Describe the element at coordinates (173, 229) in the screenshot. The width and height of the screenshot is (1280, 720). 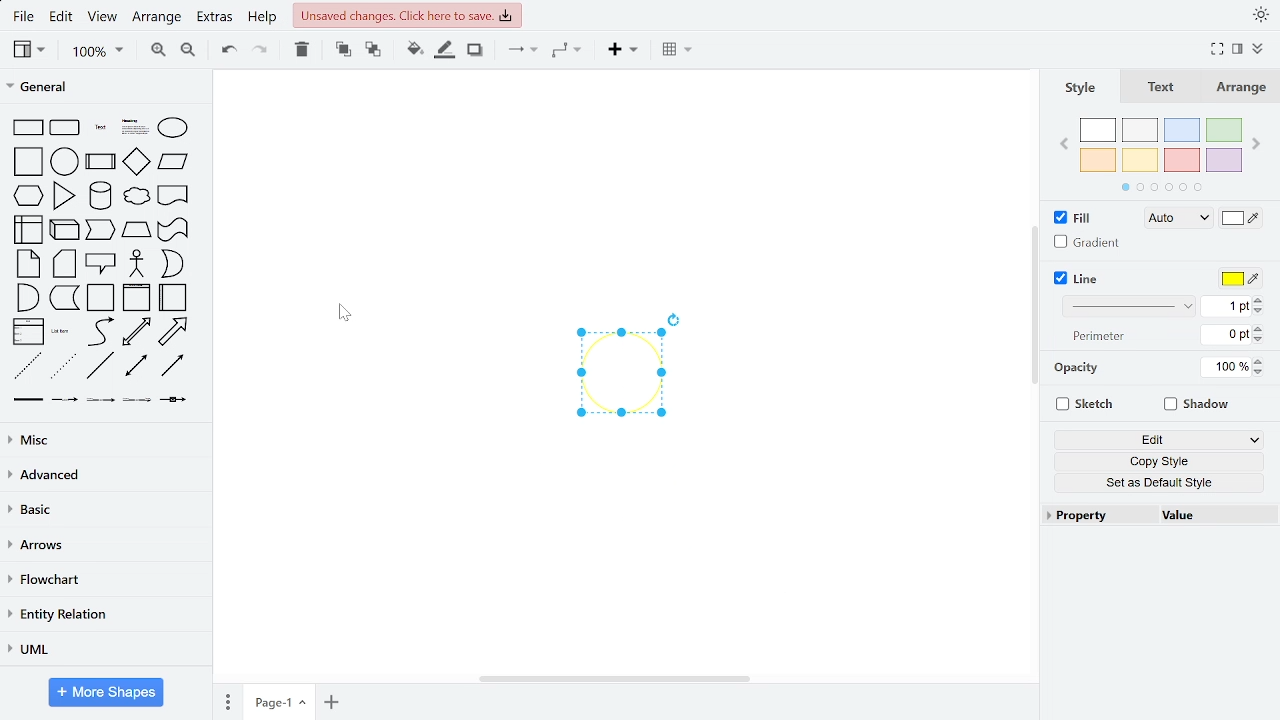
I see `tape` at that location.